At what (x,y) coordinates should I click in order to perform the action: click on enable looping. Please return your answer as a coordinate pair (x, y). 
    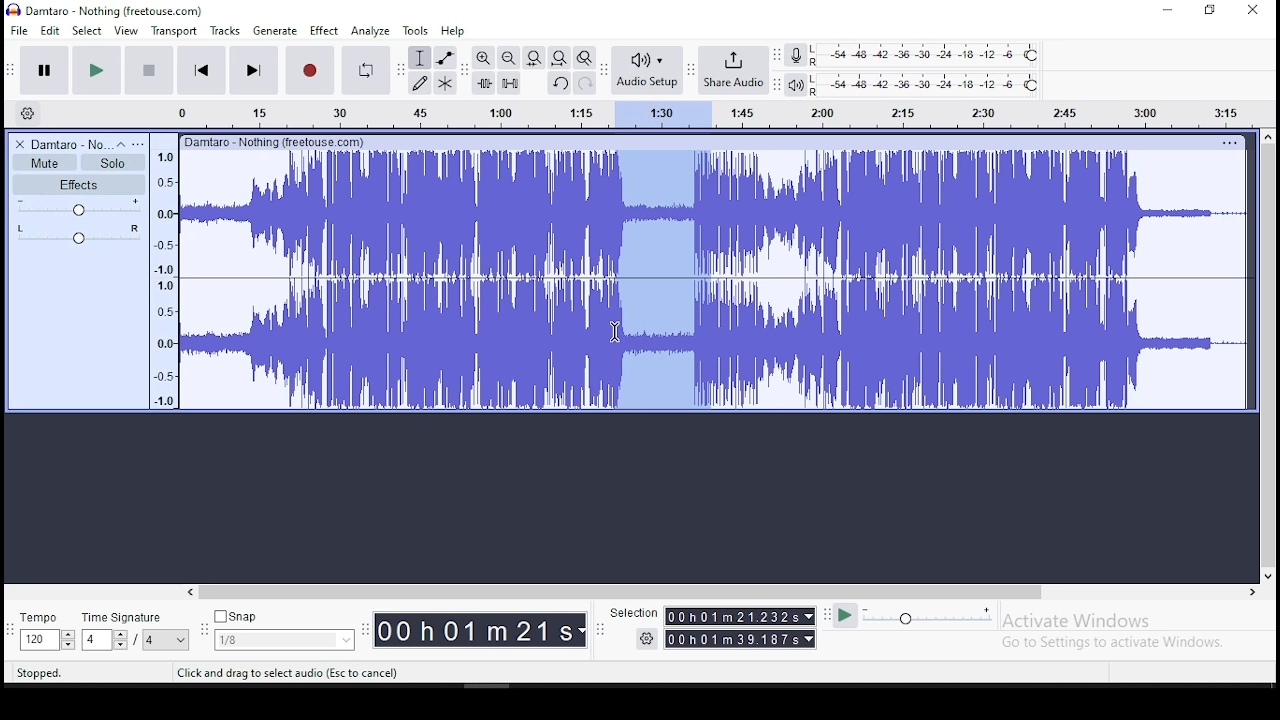
    Looking at the image, I should click on (364, 71).